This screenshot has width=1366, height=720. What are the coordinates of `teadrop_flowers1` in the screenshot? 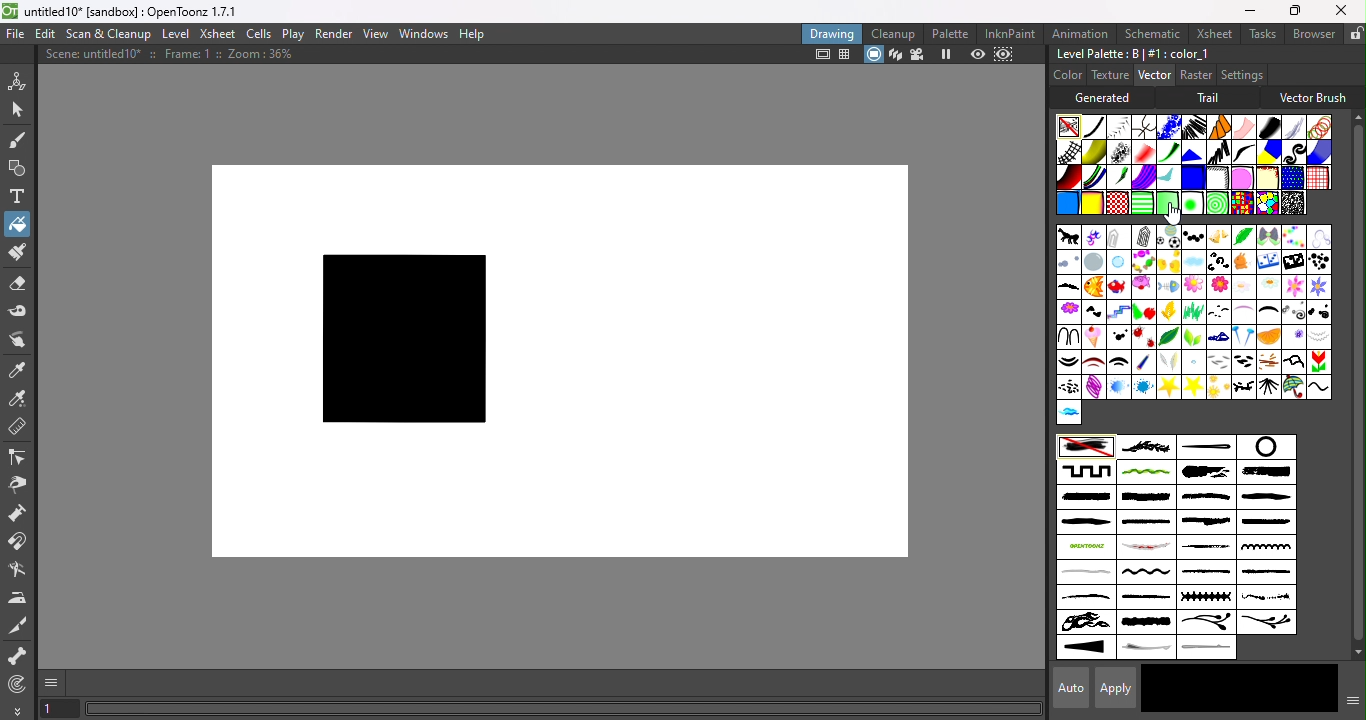 It's located at (1206, 624).